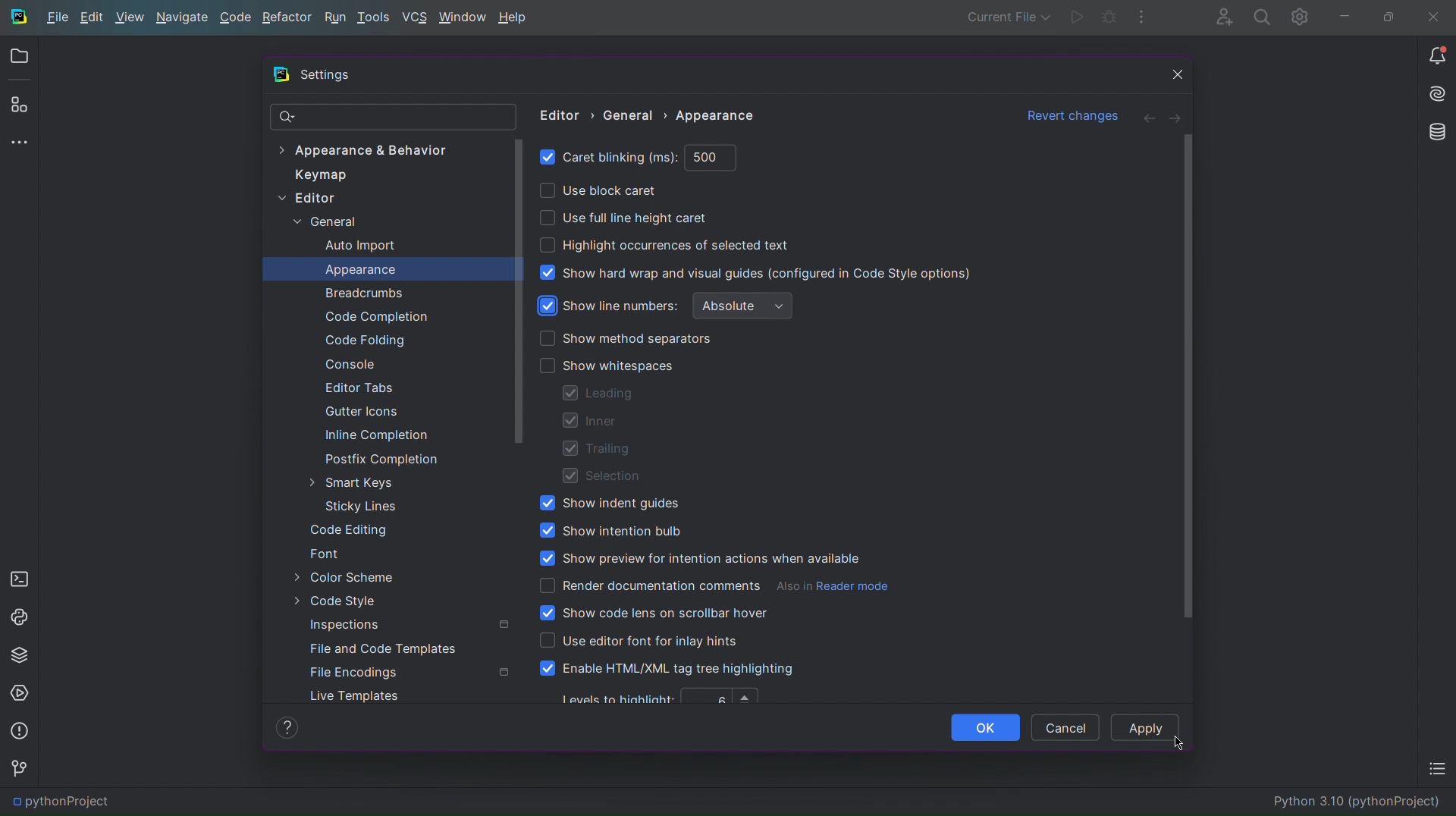 The width and height of the screenshot is (1456, 816). What do you see at coordinates (1386, 16) in the screenshot?
I see `Maximize` at bounding box center [1386, 16].